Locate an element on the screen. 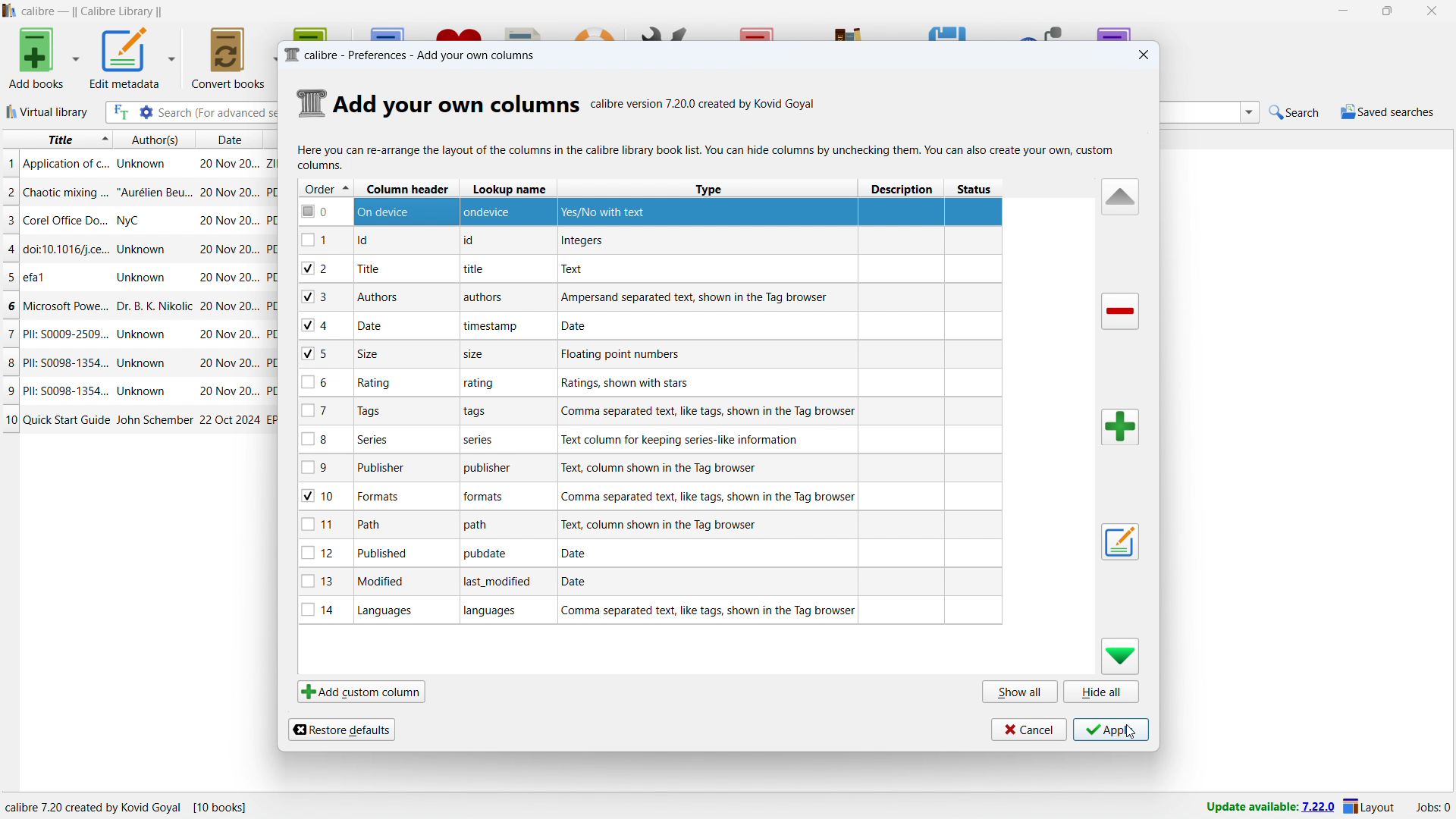 The image size is (1456, 819). move up a column is located at coordinates (1120, 197).